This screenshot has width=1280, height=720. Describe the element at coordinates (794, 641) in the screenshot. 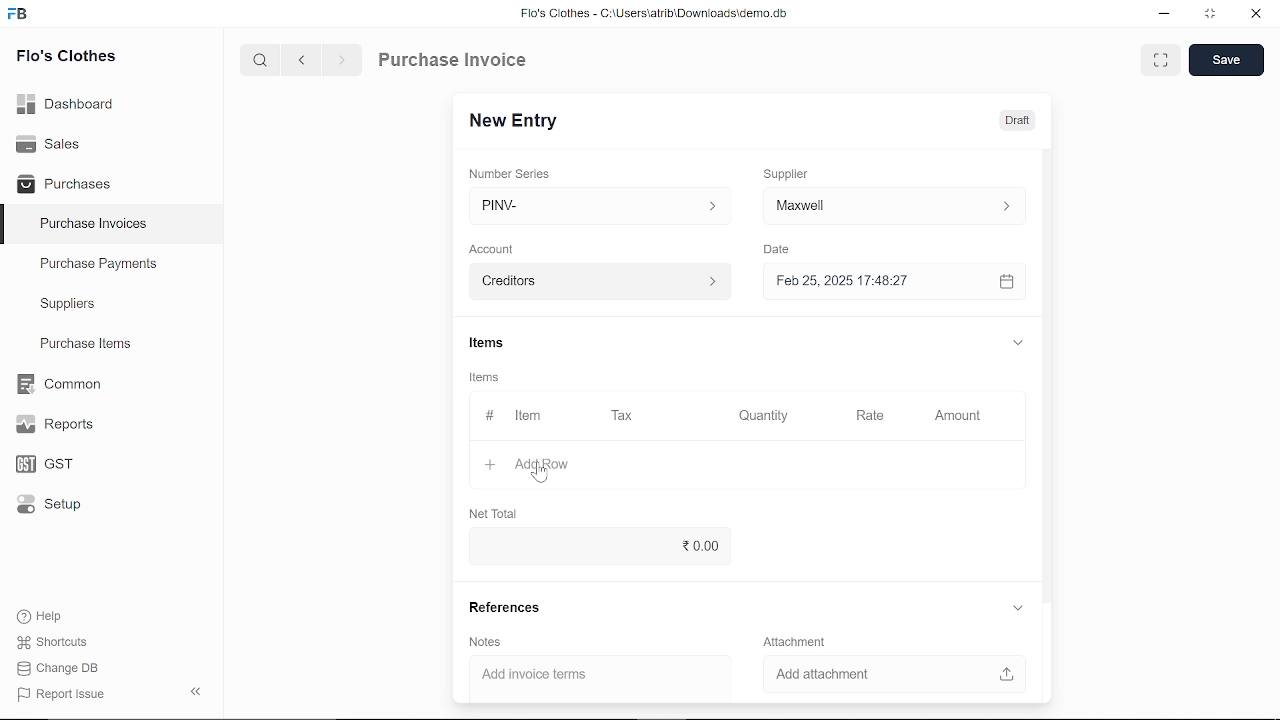

I see `‘Attachment` at that location.